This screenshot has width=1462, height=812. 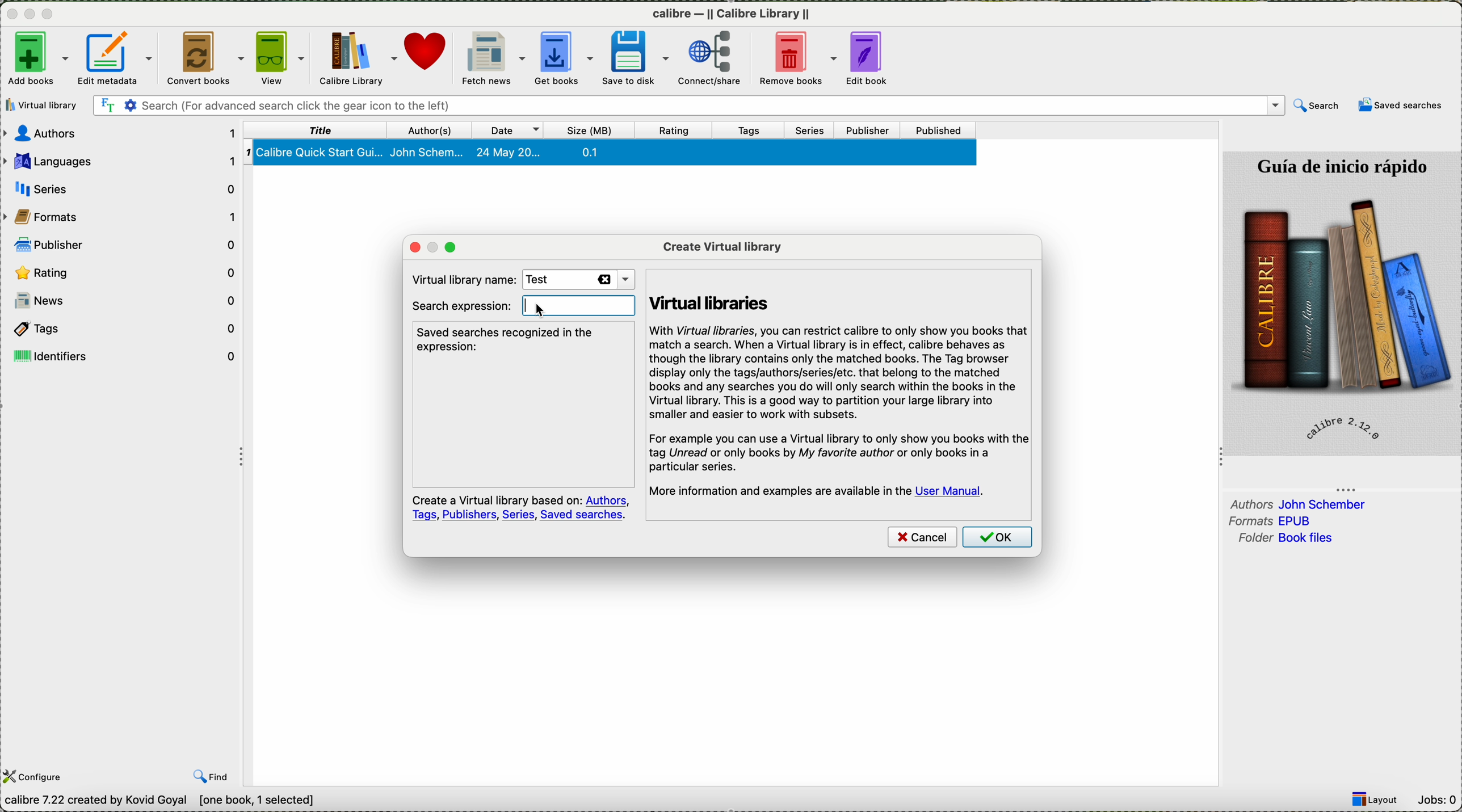 What do you see at coordinates (409, 247) in the screenshot?
I see `close popup` at bounding box center [409, 247].